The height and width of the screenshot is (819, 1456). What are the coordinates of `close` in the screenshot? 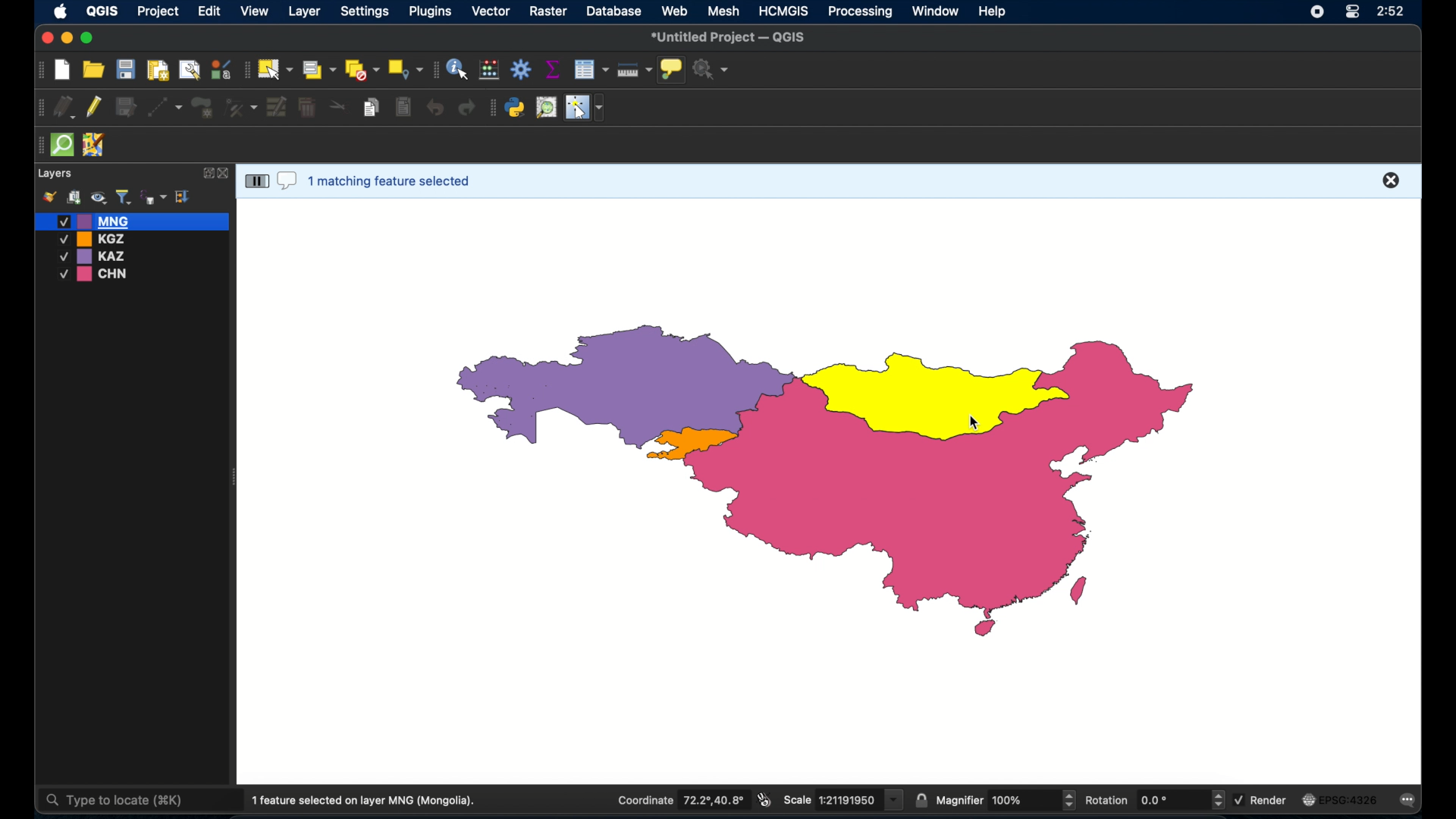 It's located at (45, 37).